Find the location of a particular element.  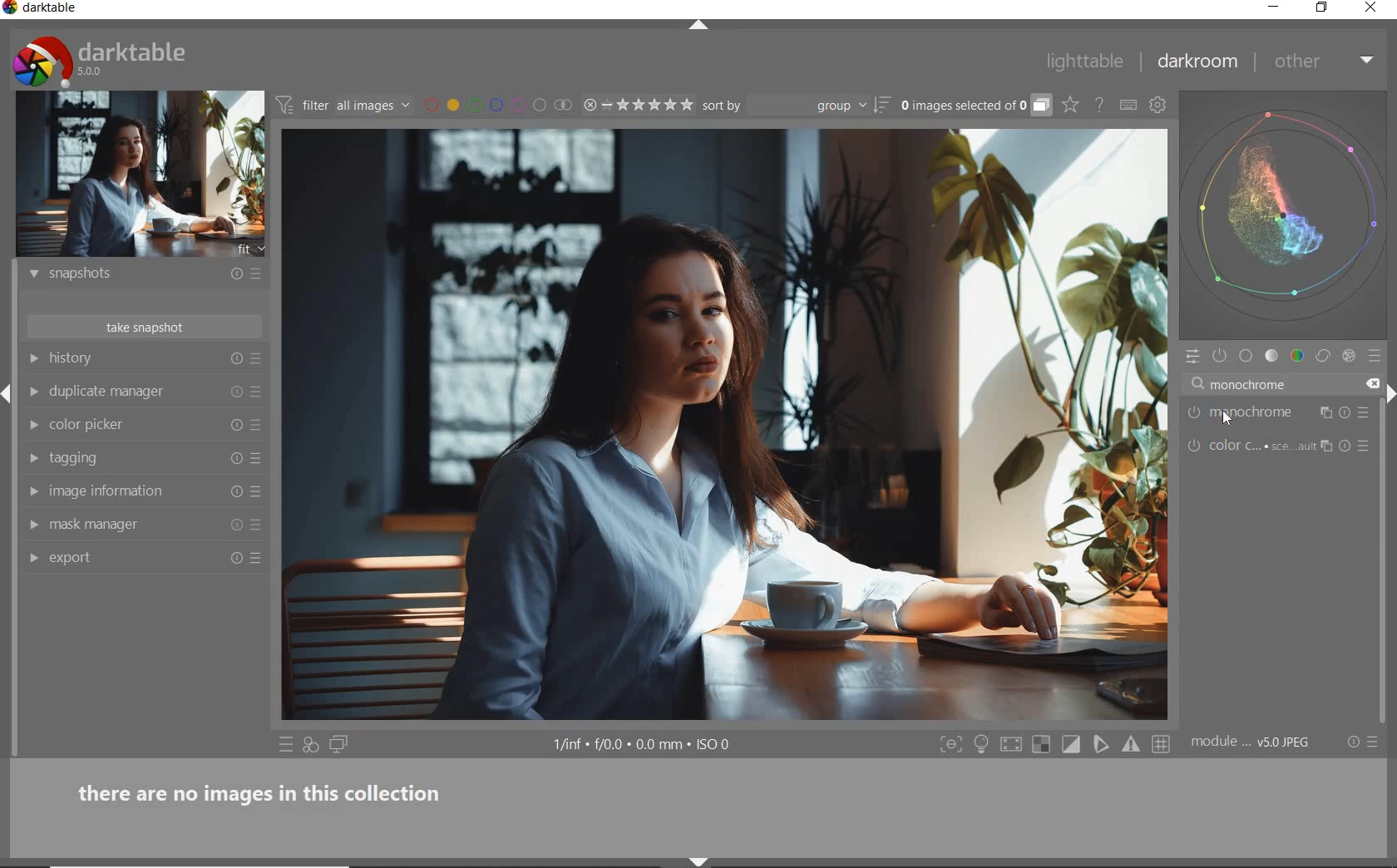

scrollbar is located at coordinates (1385, 493).